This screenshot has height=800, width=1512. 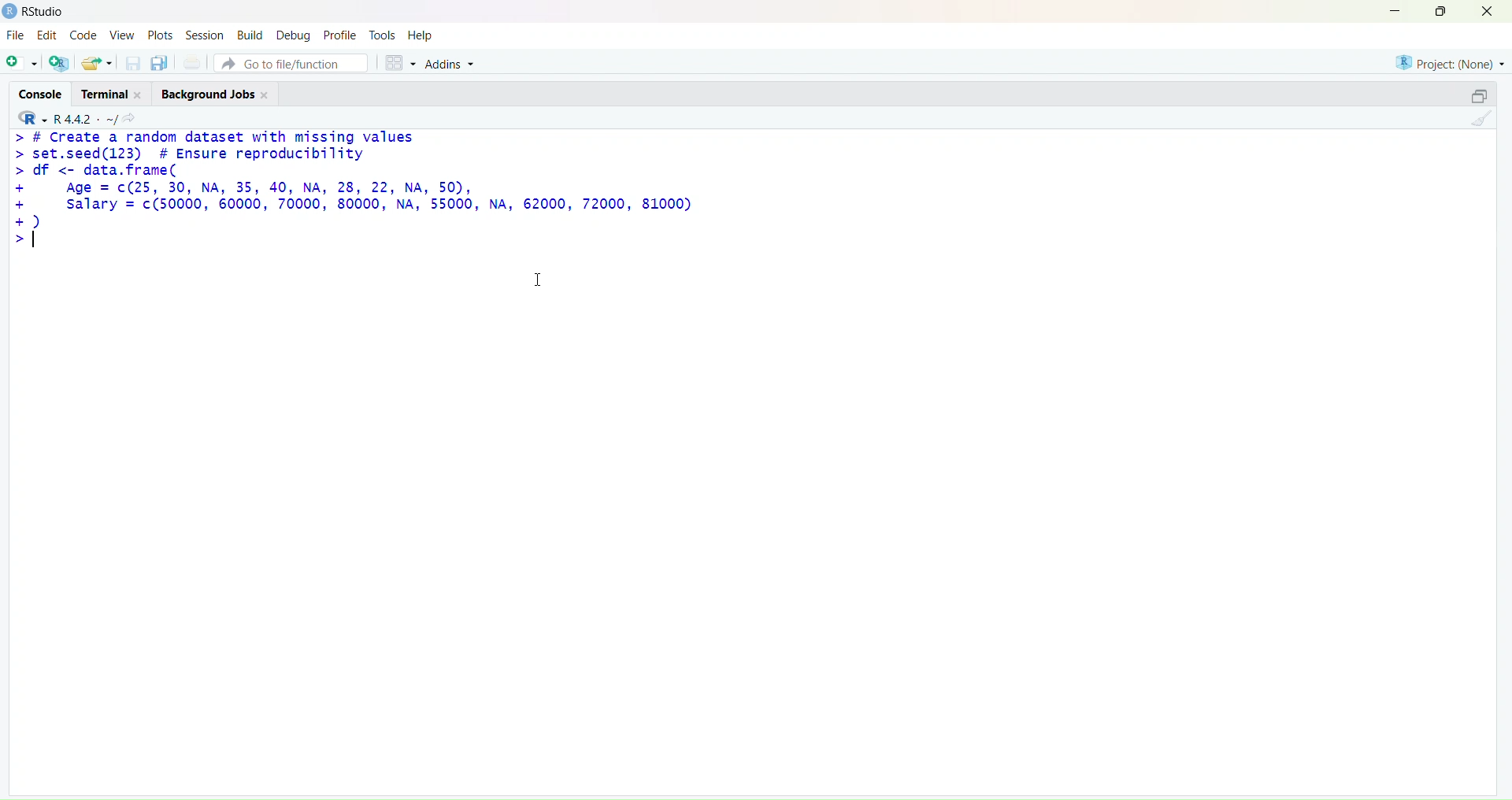 I want to click on go to file/function, so click(x=290, y=64).